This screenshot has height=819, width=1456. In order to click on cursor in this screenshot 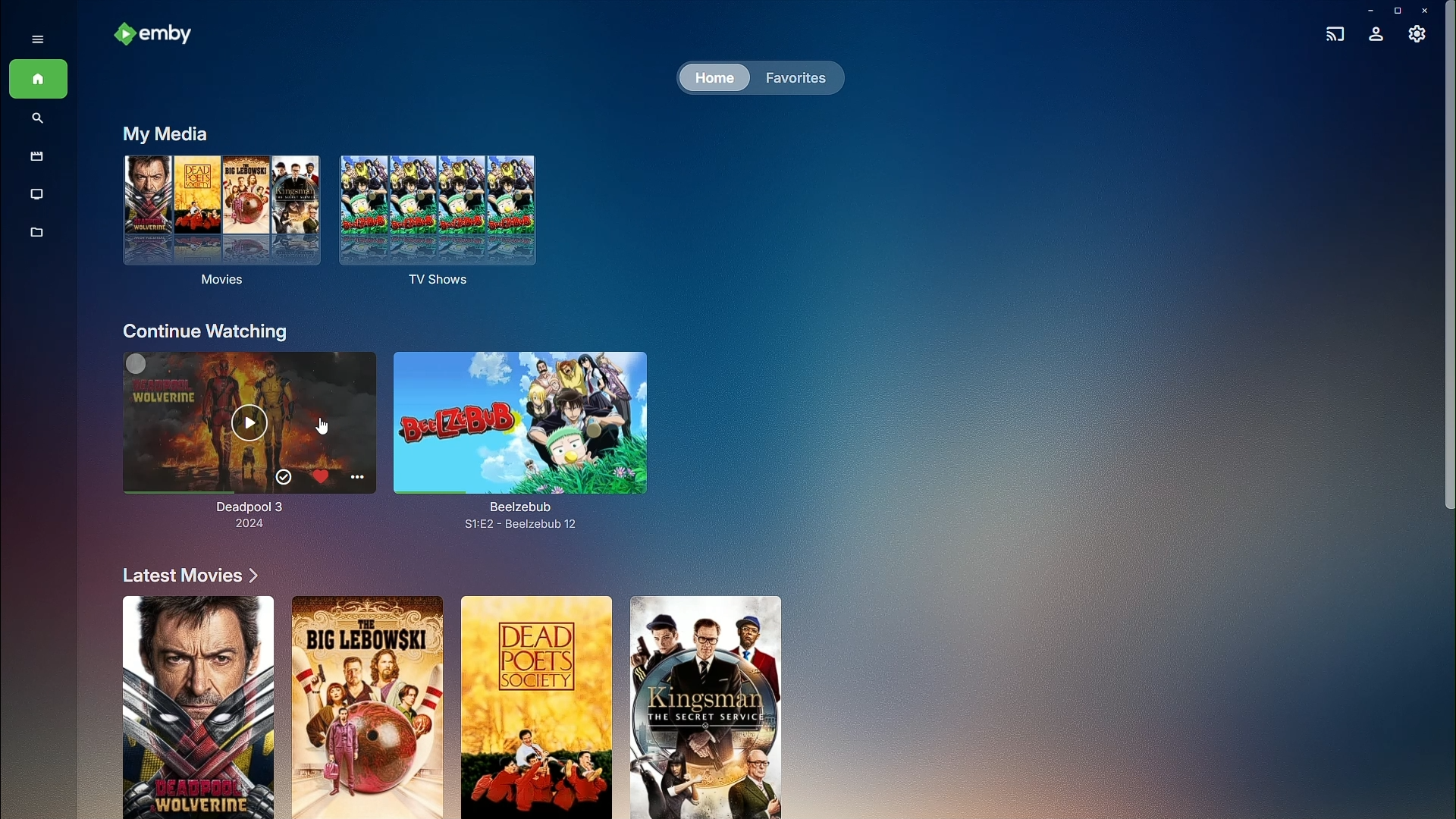, I will do `click(331, 429)`.